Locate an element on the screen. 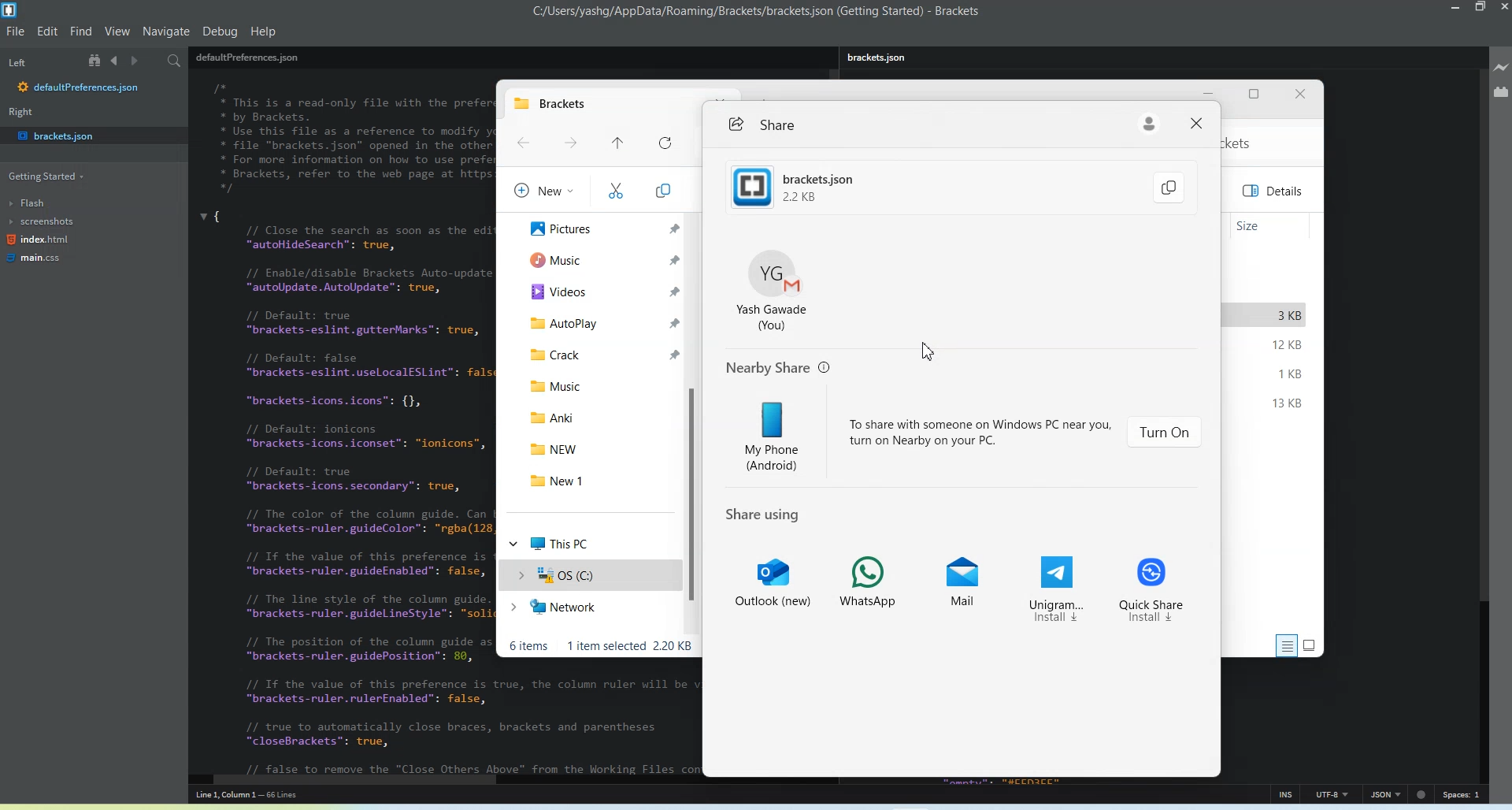  Horizontal Scroll bar is located at coordinates (505, 780).